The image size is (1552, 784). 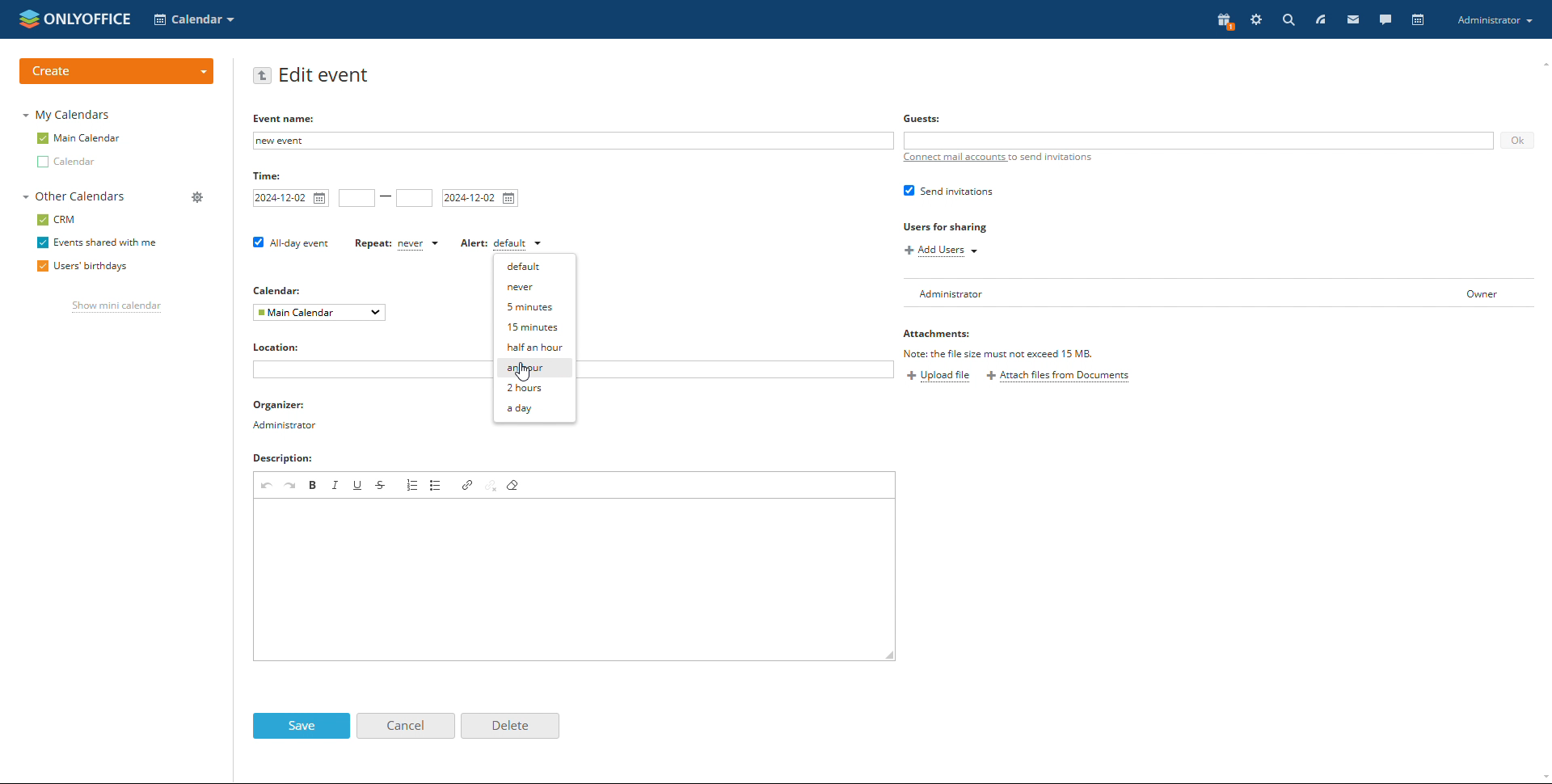 I want to click on setting, so click(x=1256, y=20).